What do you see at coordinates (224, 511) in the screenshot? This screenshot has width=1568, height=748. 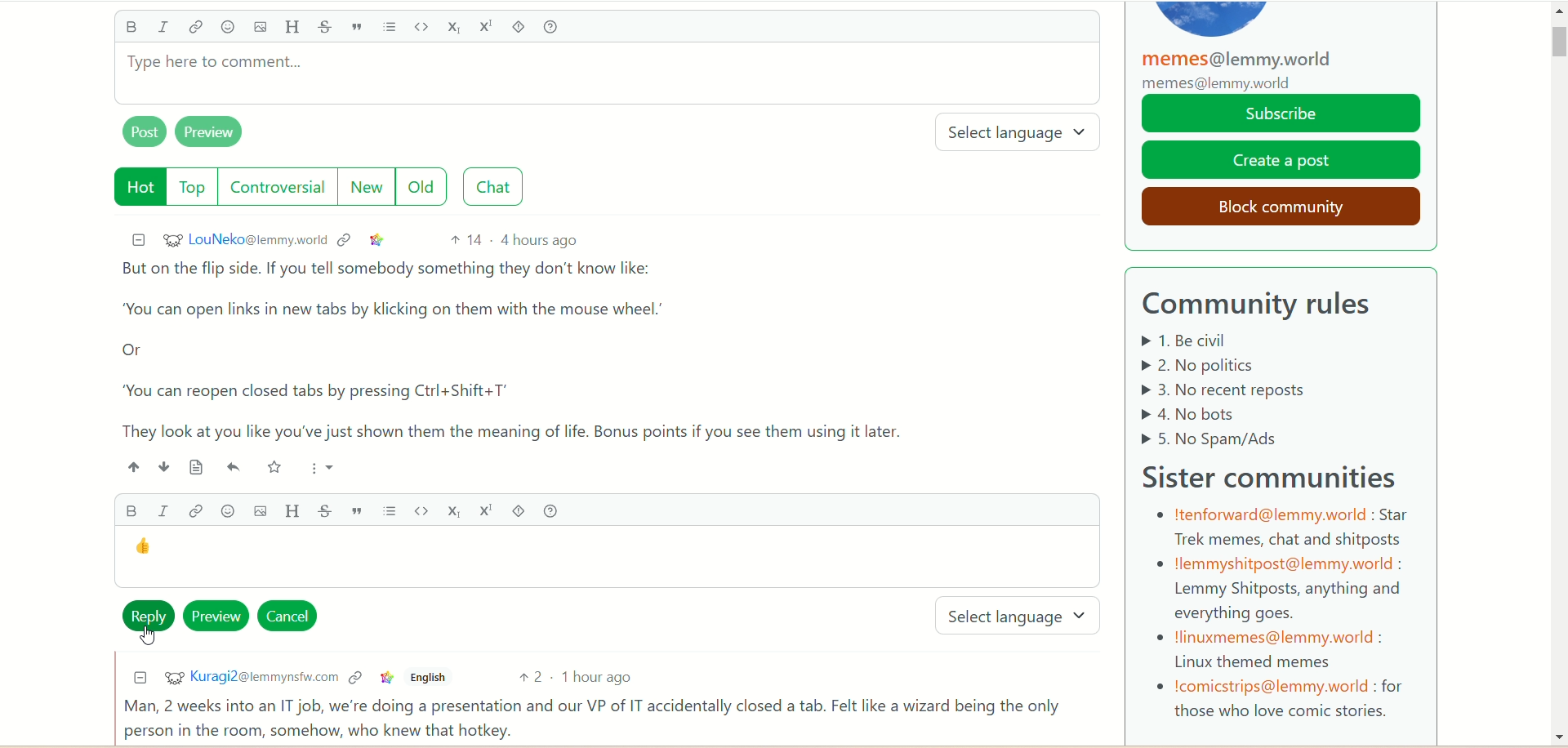 I see `emoji` at bounding box center [224, 511].